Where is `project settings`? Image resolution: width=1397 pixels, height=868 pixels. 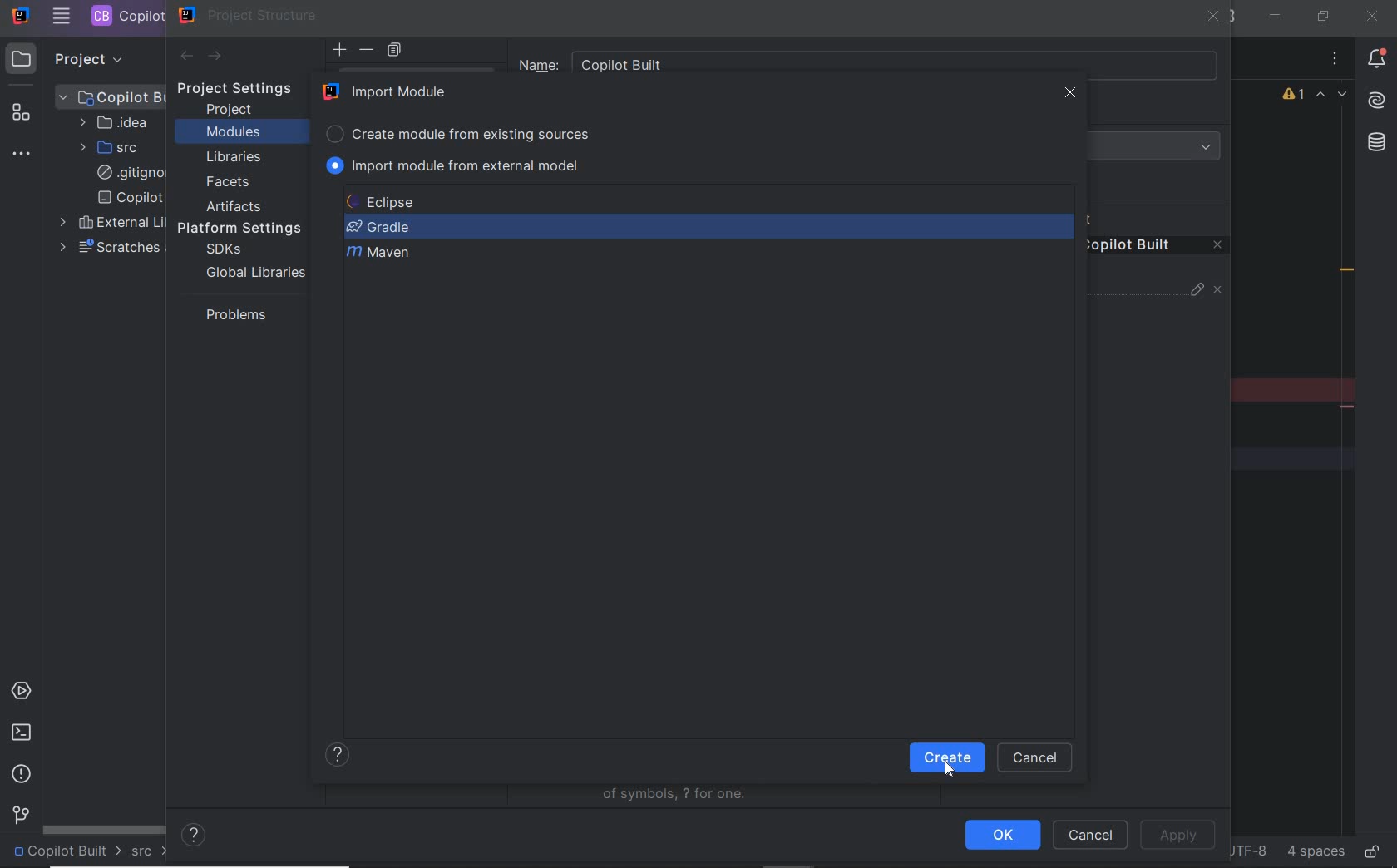 project settings is located at coordinates (246, 89).